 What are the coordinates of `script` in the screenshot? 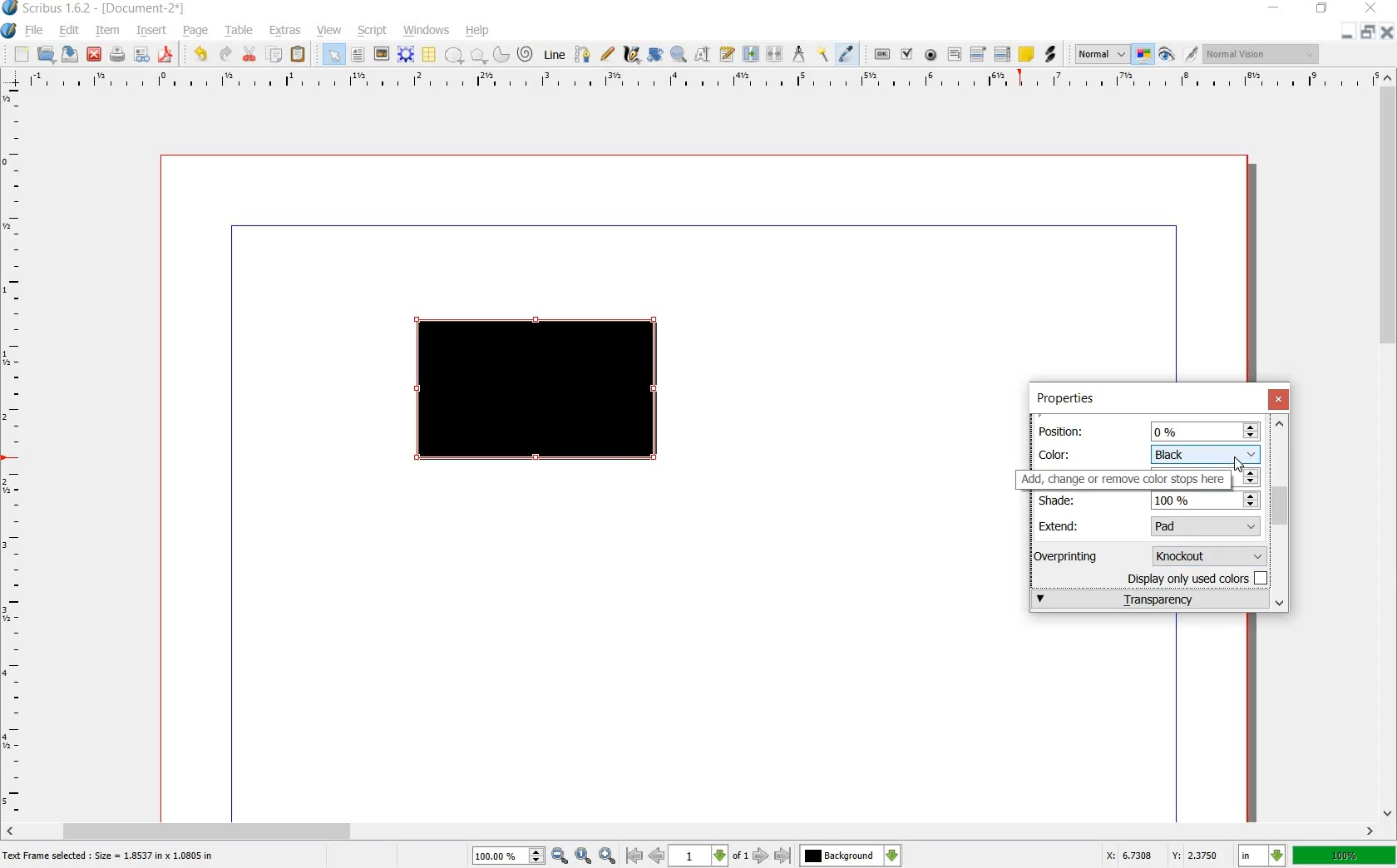 It's located at (373, 31).